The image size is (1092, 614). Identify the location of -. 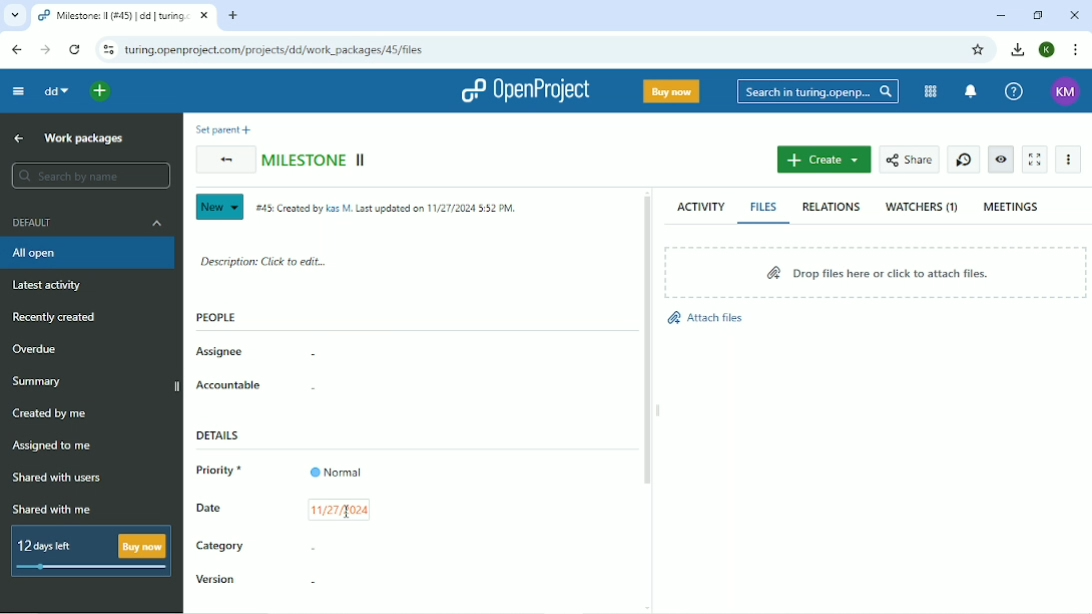
(310, 547).